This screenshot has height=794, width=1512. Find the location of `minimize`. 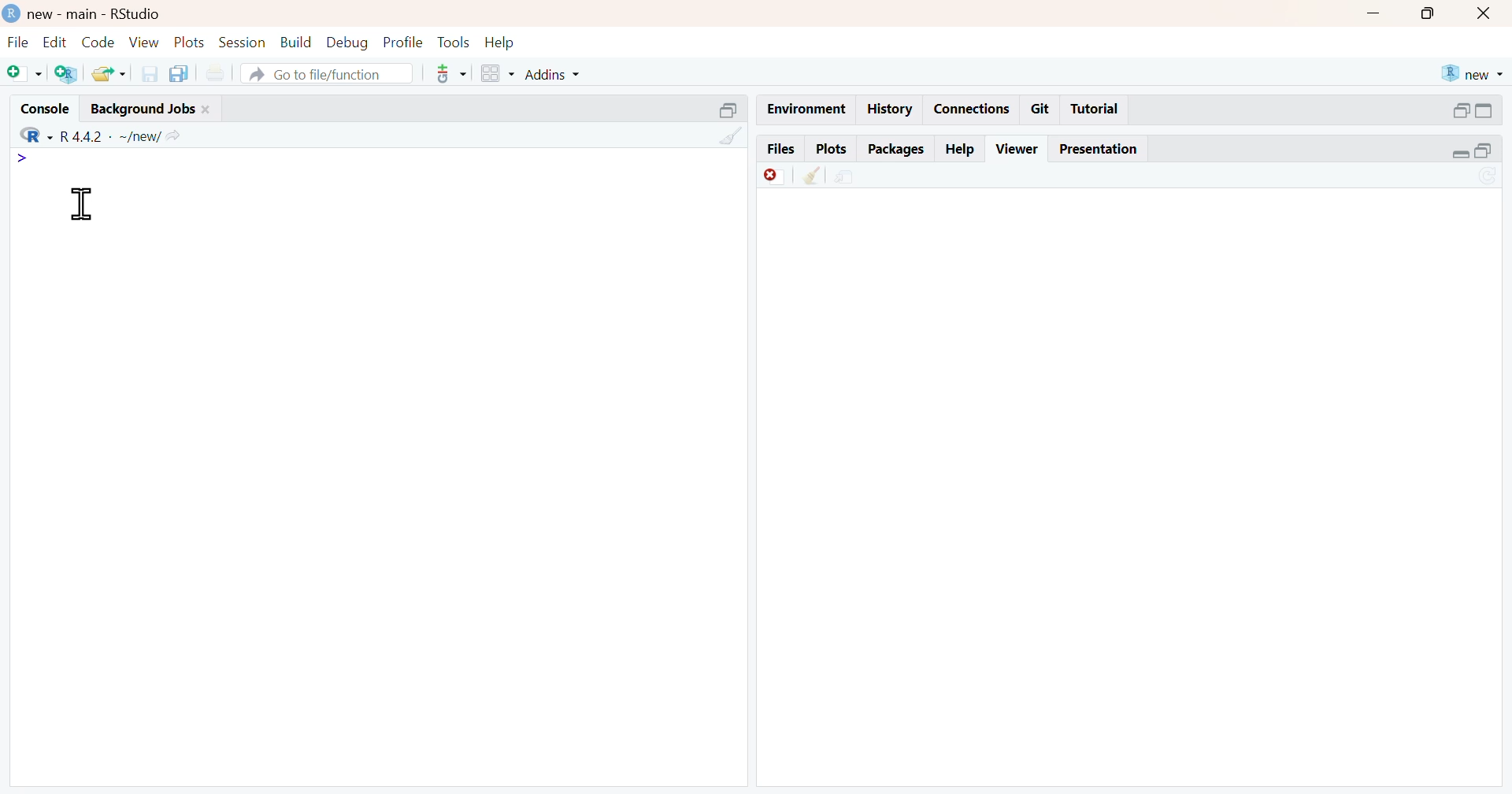

minimize is located at coordinates (1369, 15).